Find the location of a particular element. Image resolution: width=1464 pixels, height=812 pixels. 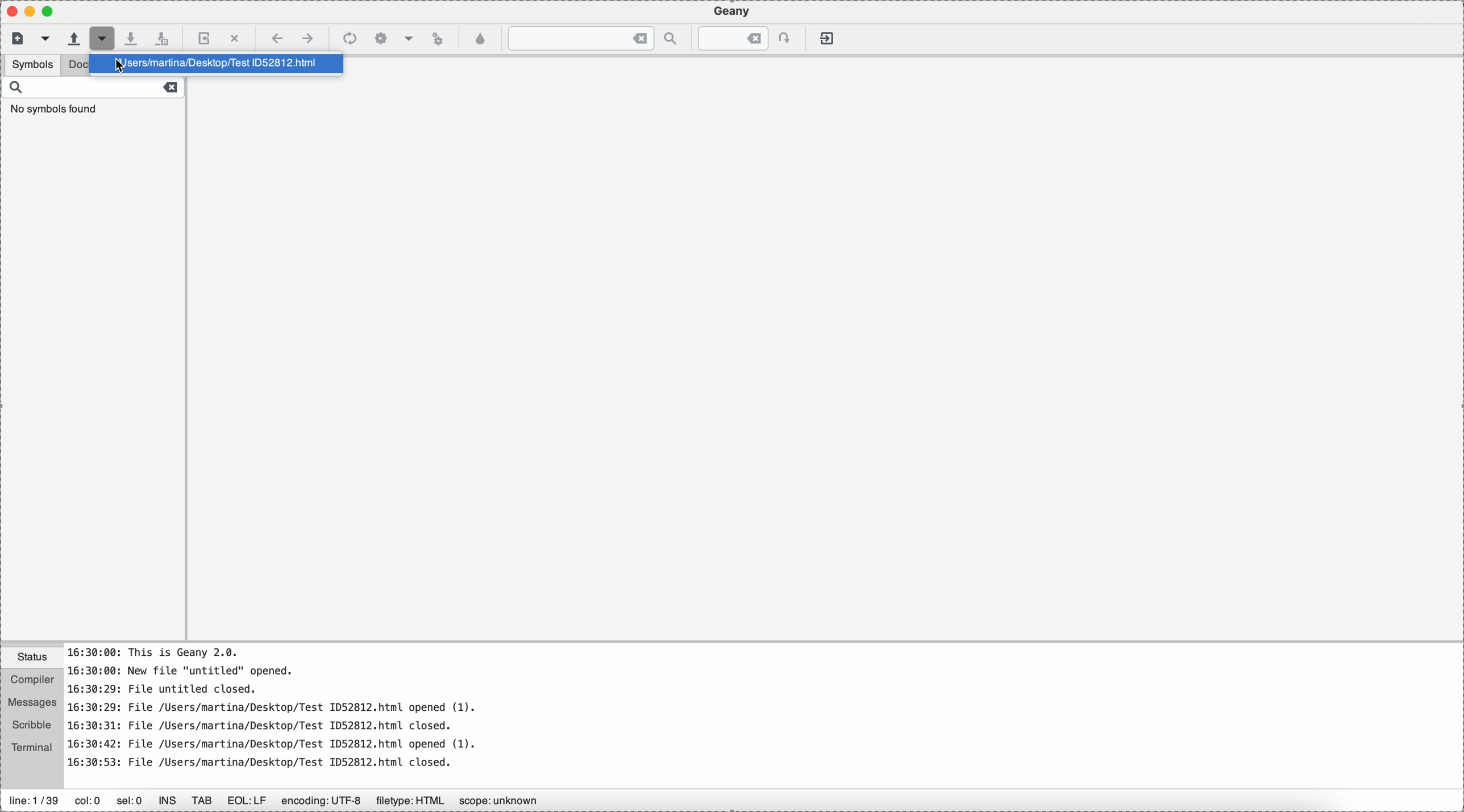

Geany is located at coordinates (732, 11).